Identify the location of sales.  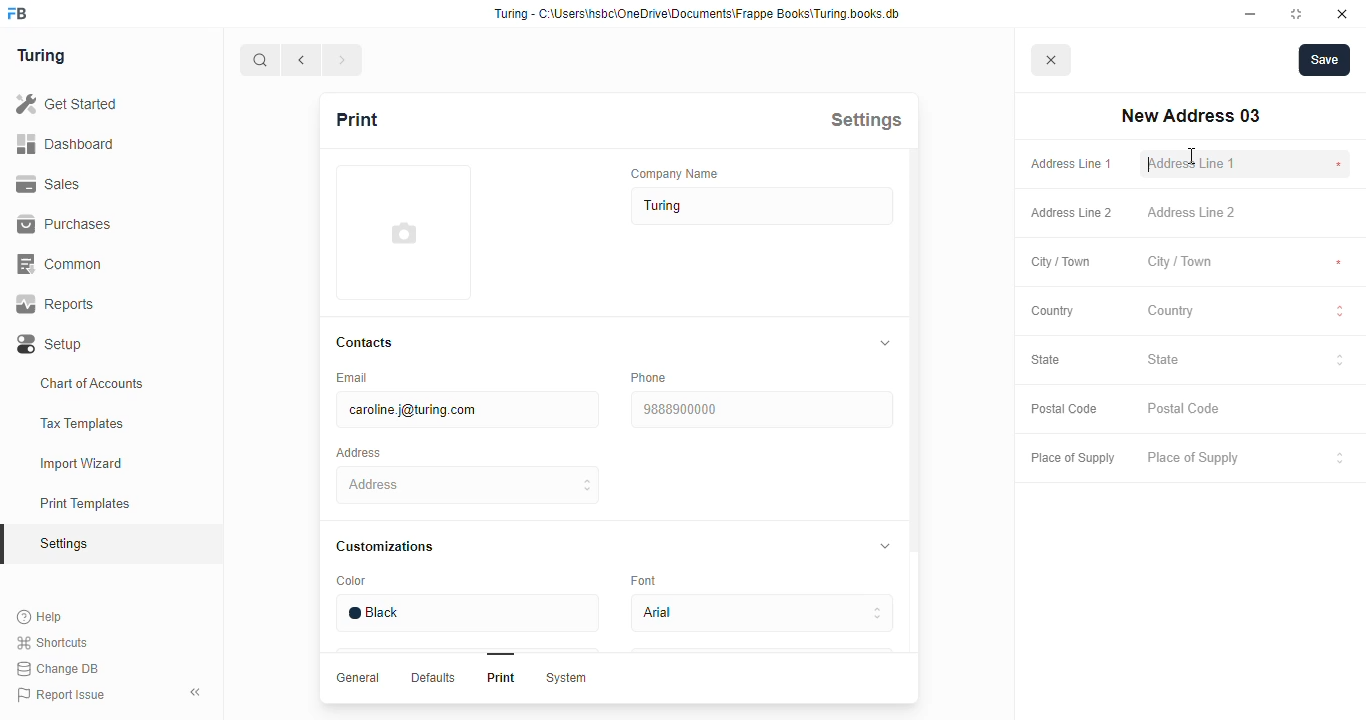
(52, 184).